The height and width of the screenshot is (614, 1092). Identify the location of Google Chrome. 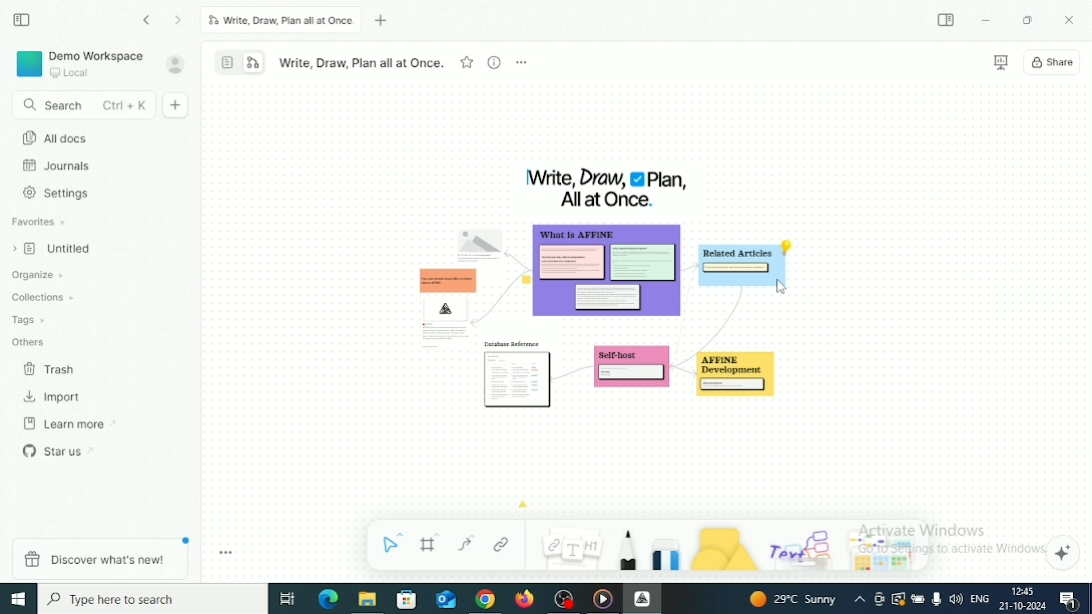
(485, 600).